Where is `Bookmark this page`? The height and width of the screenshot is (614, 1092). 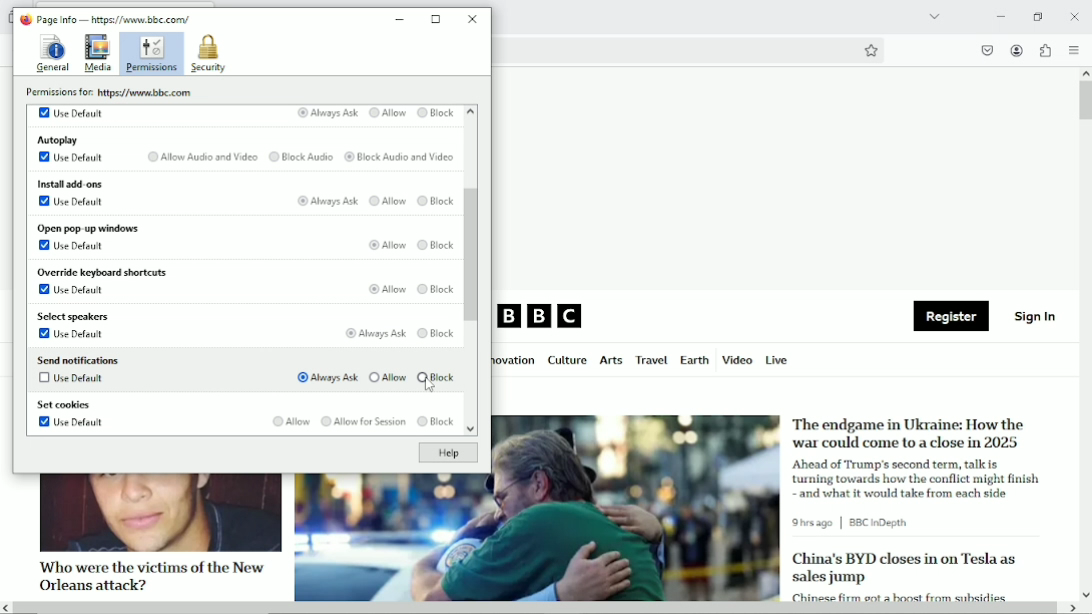 Bookmark this page is located at coordinates (870, 50).